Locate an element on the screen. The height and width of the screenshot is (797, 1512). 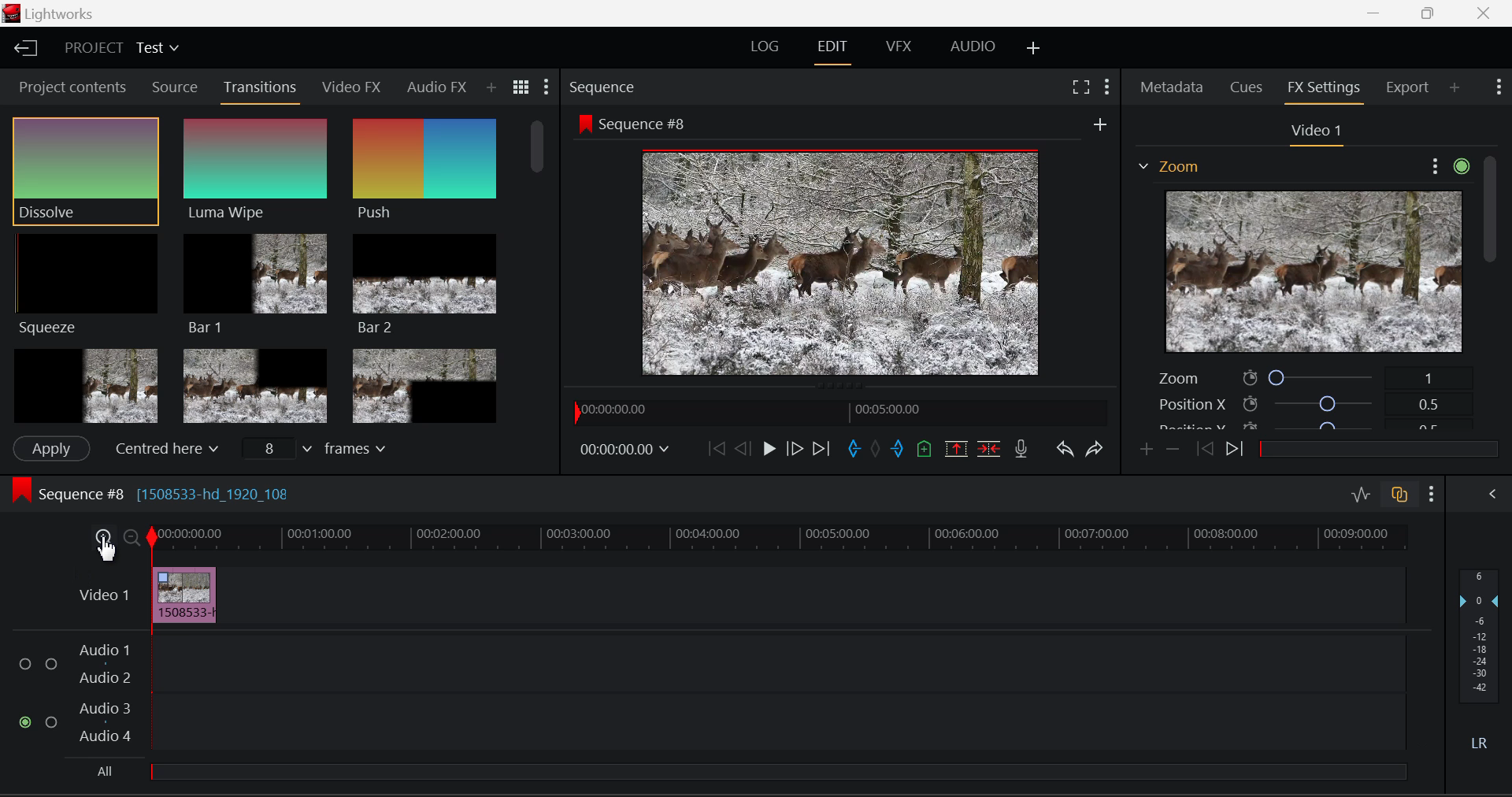
Show Settings is located at coordinates (544, 87).